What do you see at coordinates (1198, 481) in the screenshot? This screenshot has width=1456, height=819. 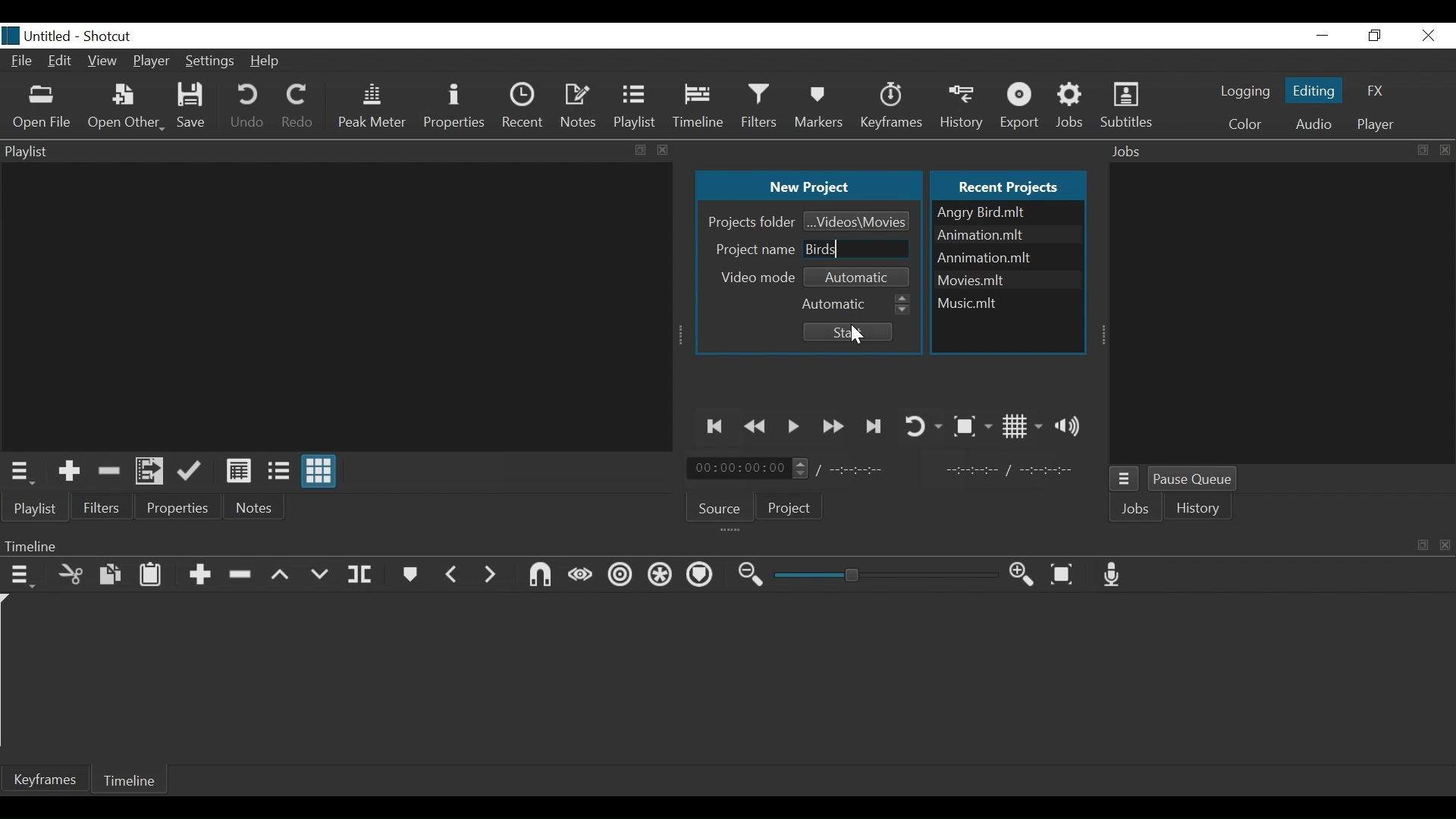 I see `Pause Queue` at bounding box center [1198, 481].